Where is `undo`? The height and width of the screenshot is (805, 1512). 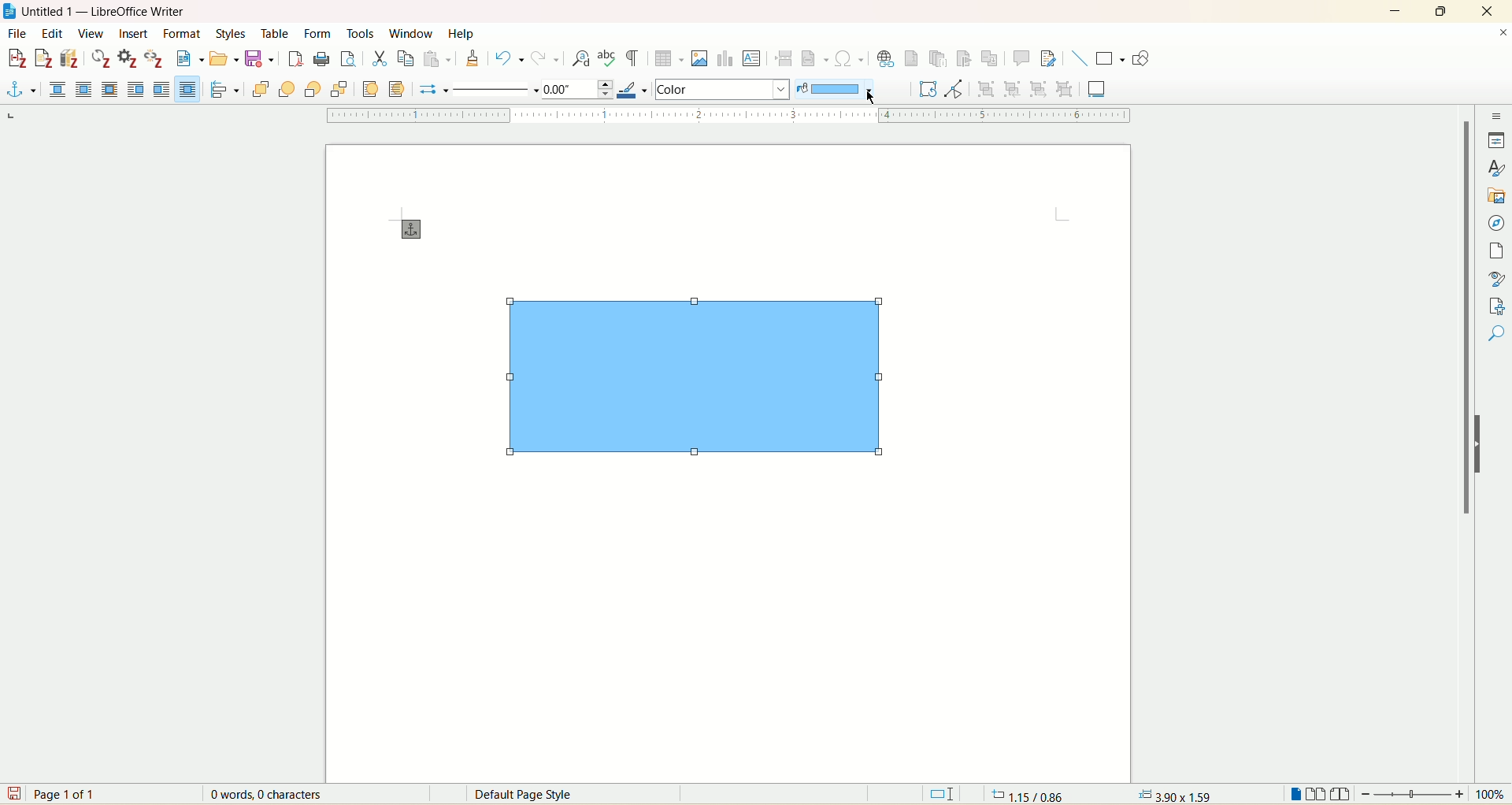
undo is located at coordinates (511, 61).